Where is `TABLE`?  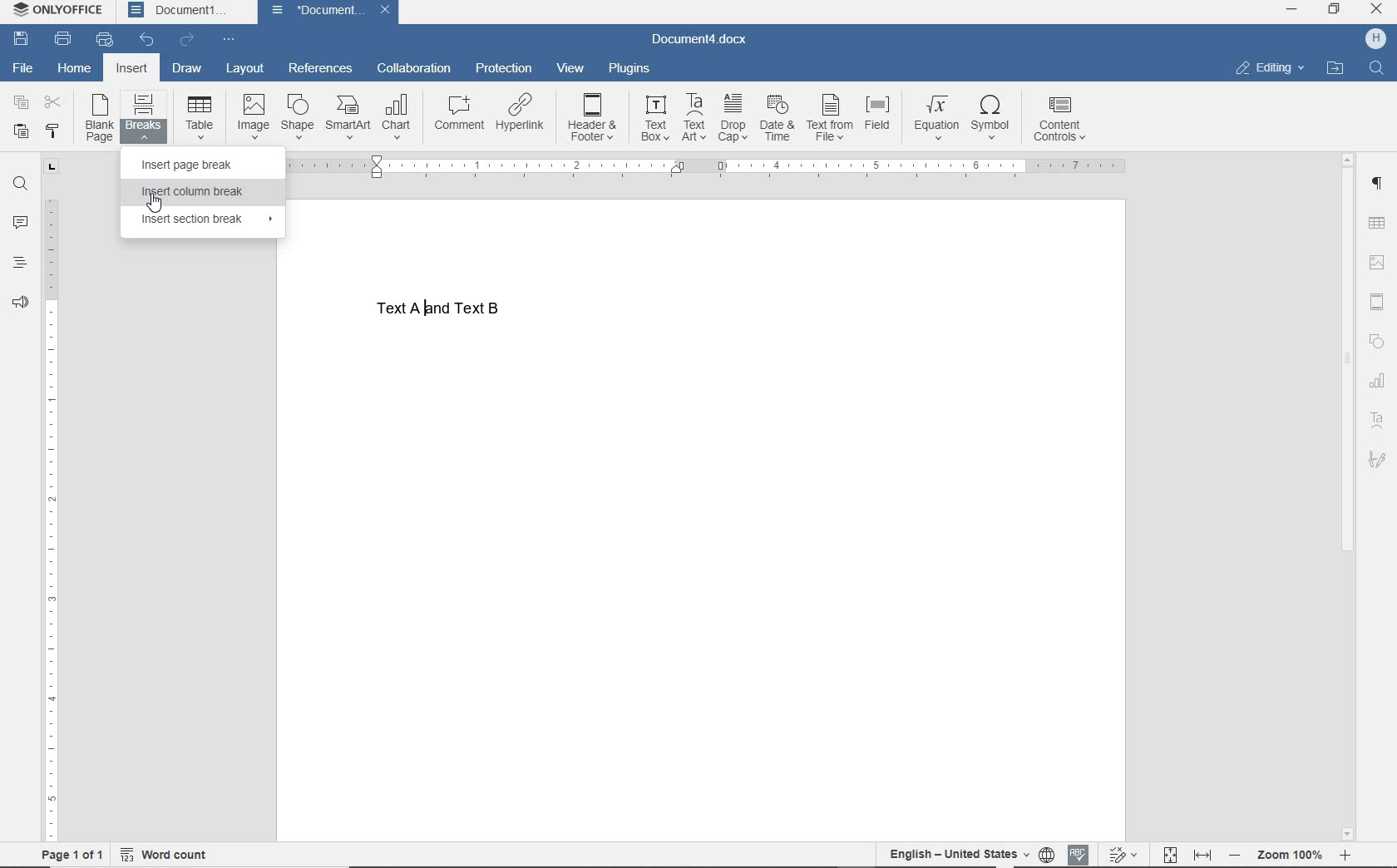 TABLE is located at coordinates (1377, 224).